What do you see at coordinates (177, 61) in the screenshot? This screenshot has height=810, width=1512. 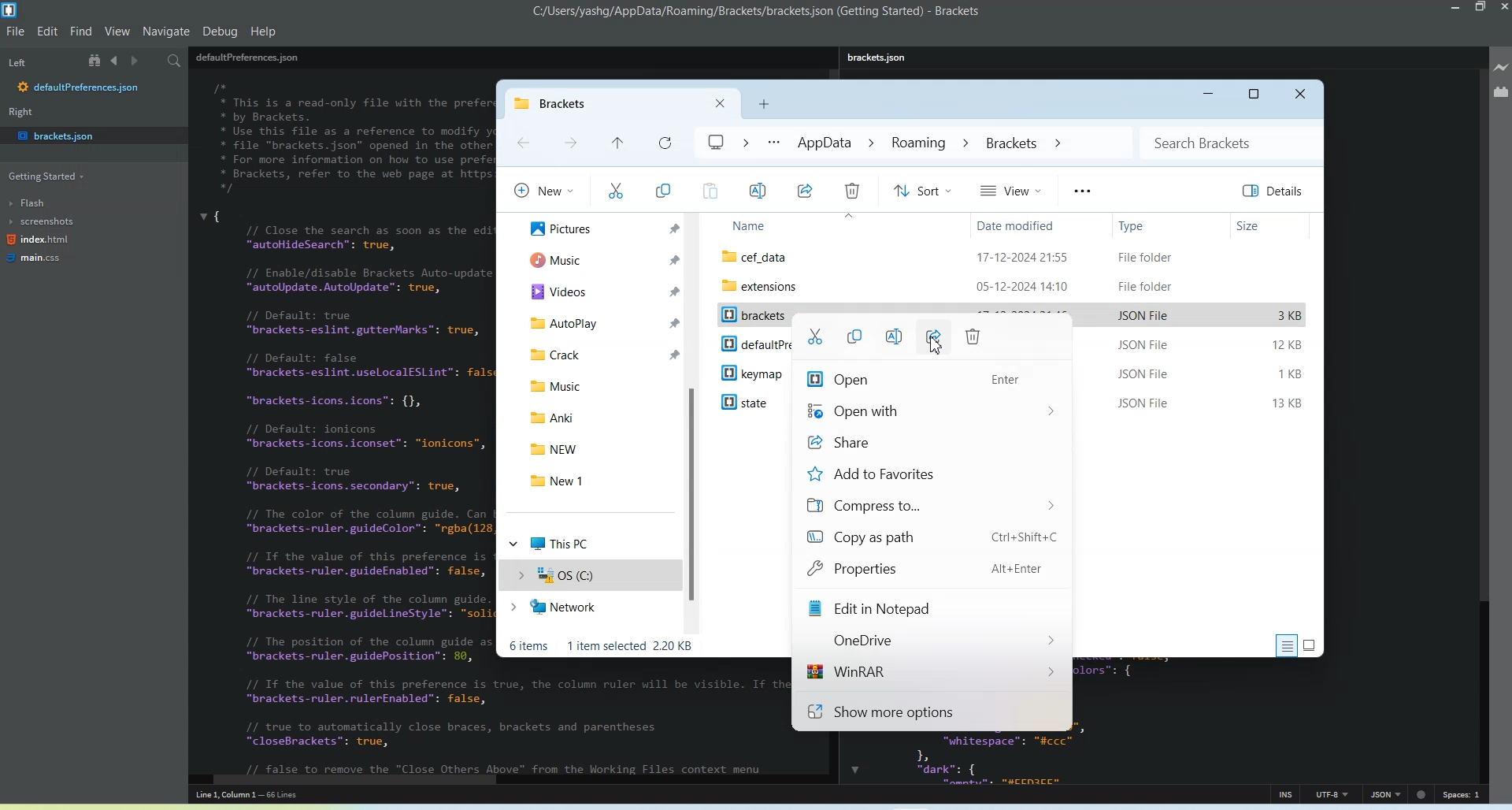 I see `Find in files` at bounding box center [177, 61].